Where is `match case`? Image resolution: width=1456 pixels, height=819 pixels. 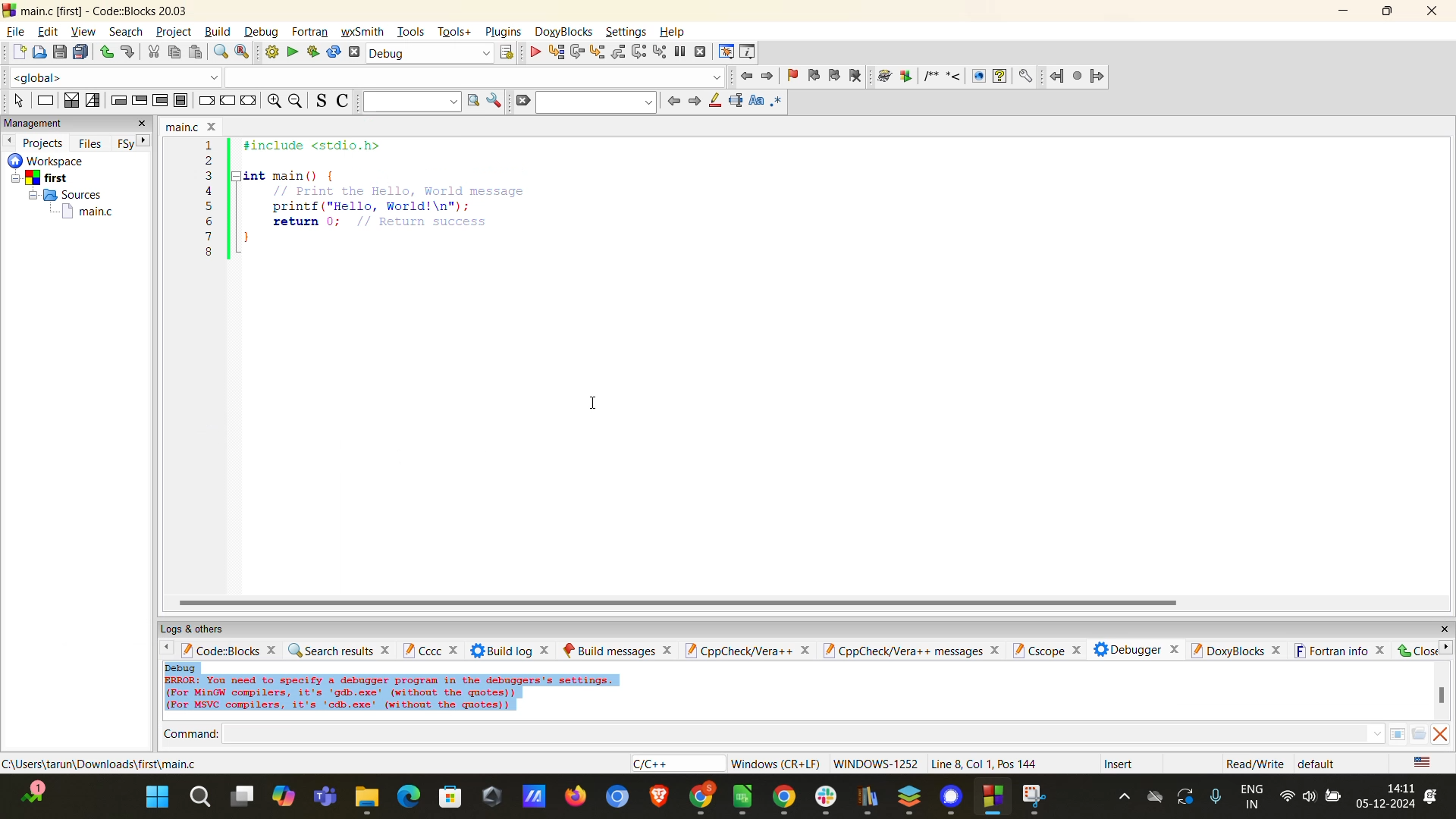
match case is located at coordinates (759, 104).